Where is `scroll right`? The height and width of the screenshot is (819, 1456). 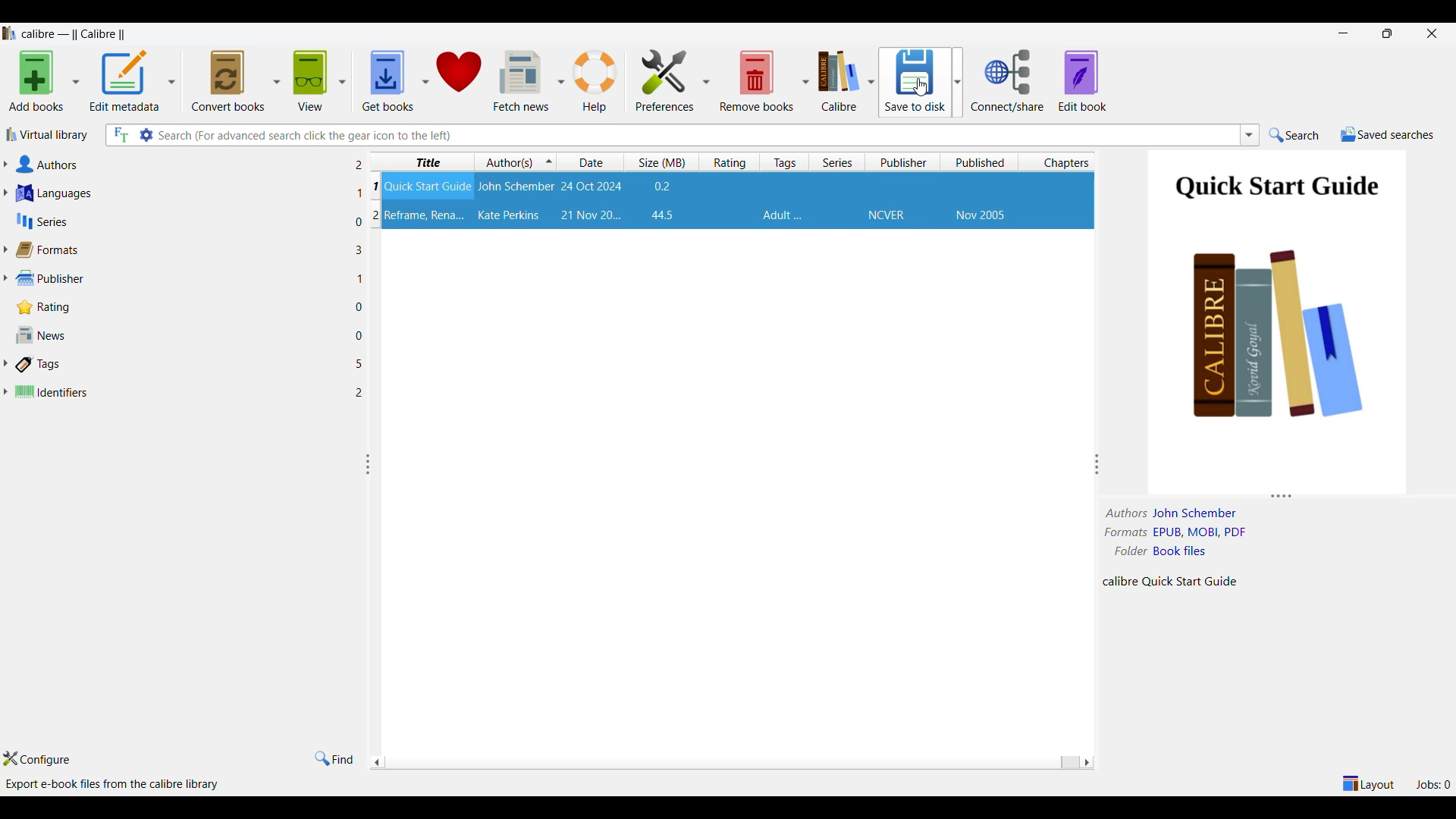 scroll right is located at coordinates (376, 764).